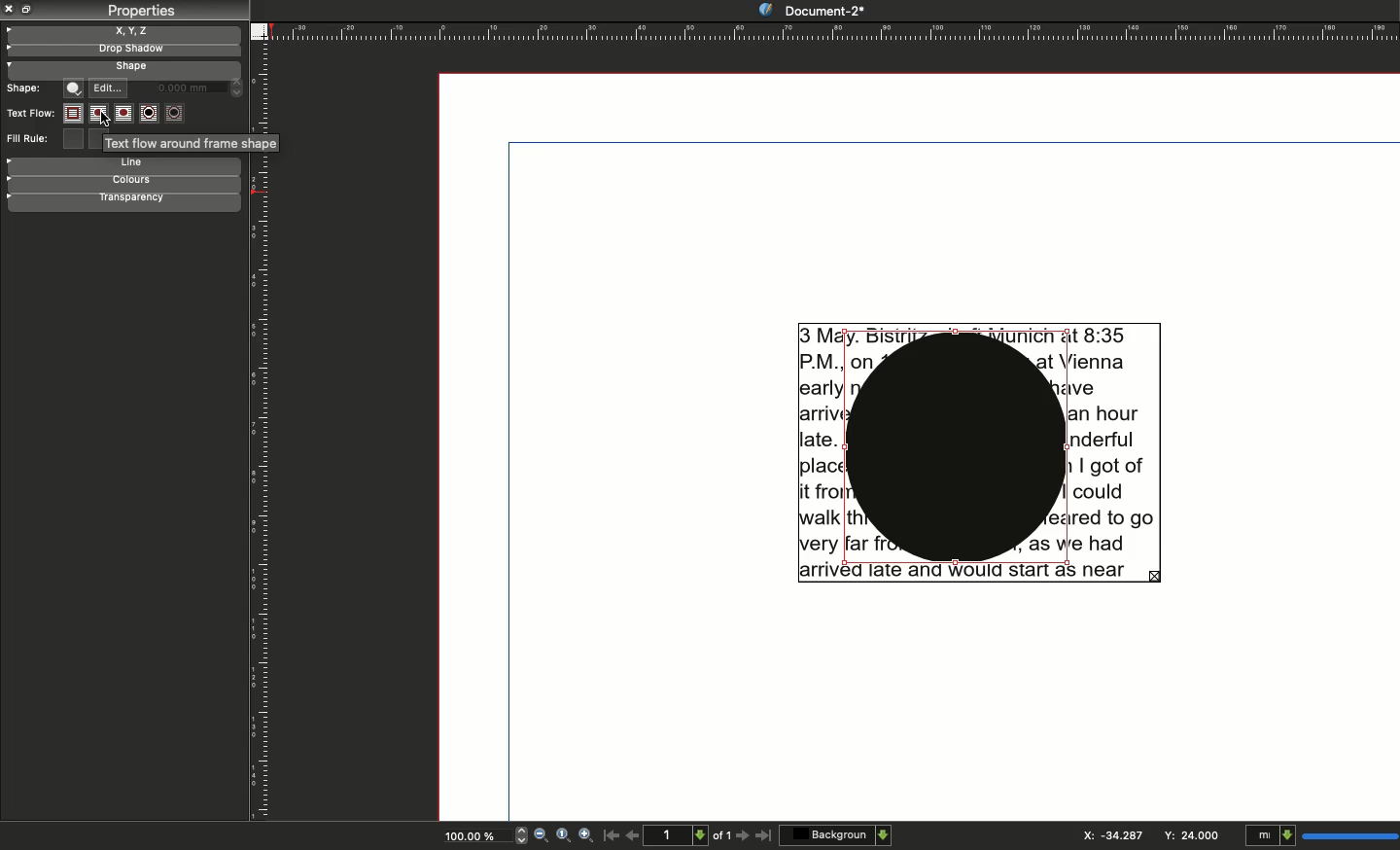  What do you see at coordinates (135, 182) in the screenshot?
I see `Colours` at bounding box center [135, 182].